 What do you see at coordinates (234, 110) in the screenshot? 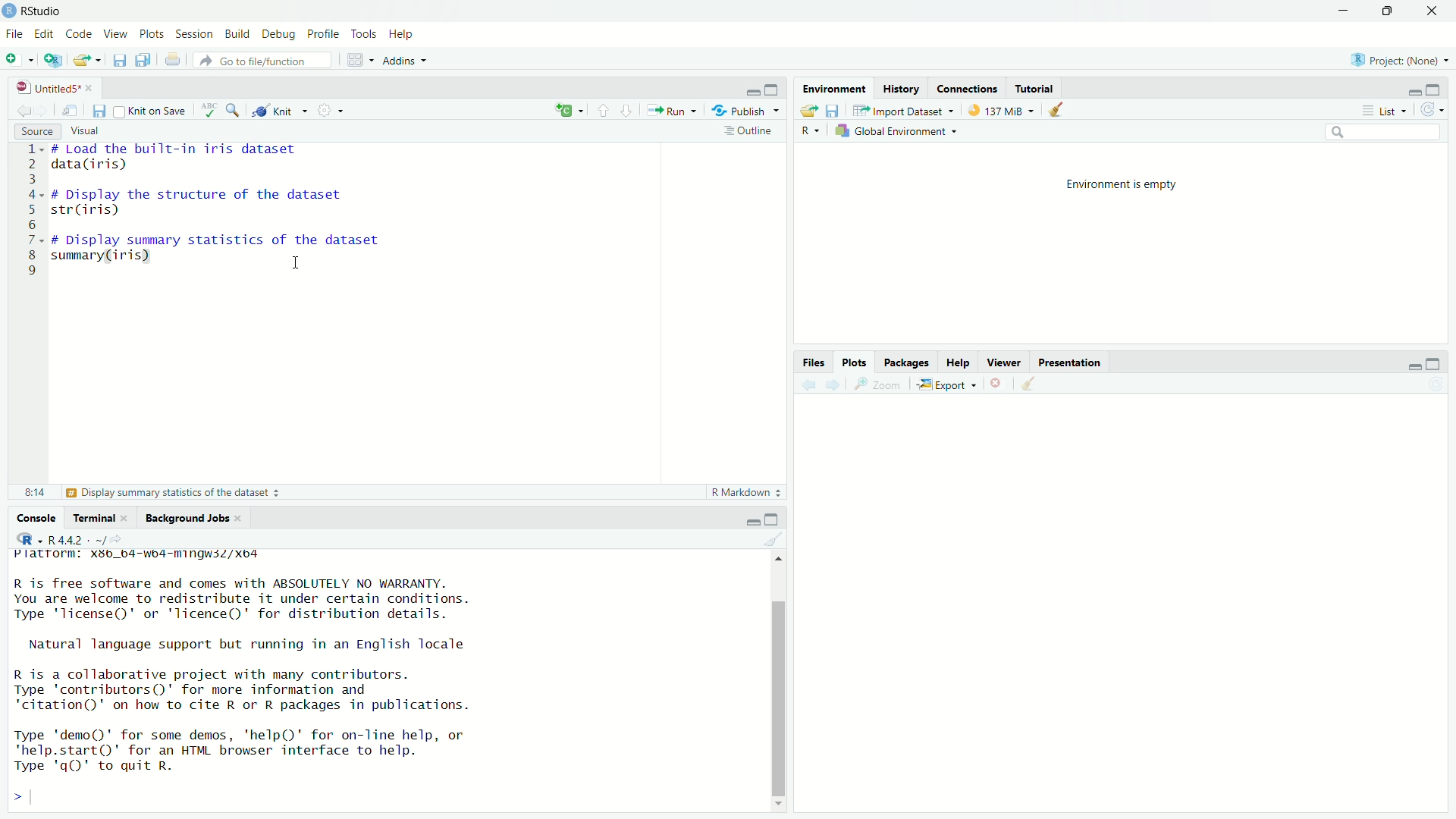
I see `Find/Replace` at bounding box center [234, 110].